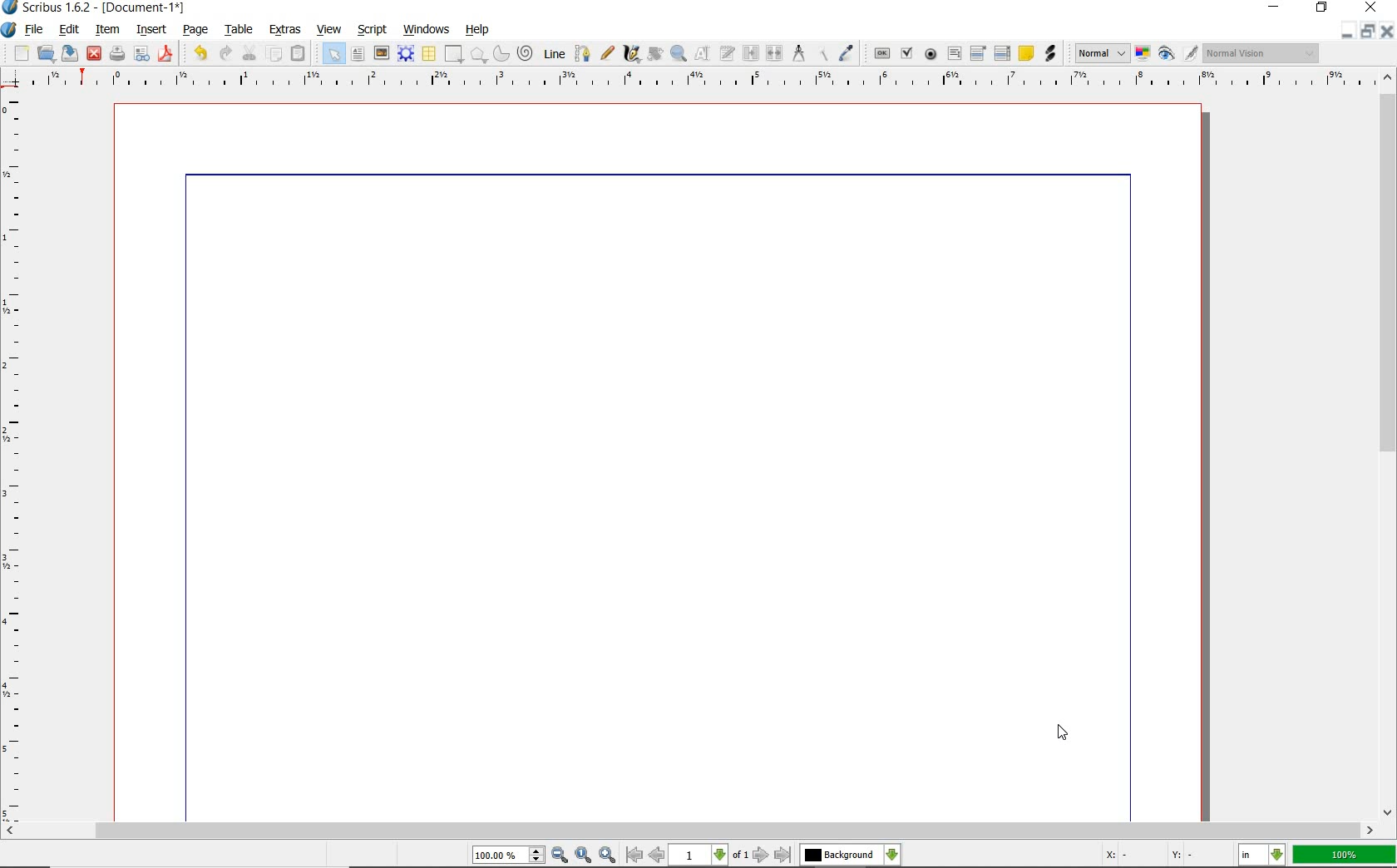 The height and width of the screenshot is (868, 1397). What do you see at coordinates (1060, 734) in the screenshot?
I see `cursor` at bounding box center [1060, 734].